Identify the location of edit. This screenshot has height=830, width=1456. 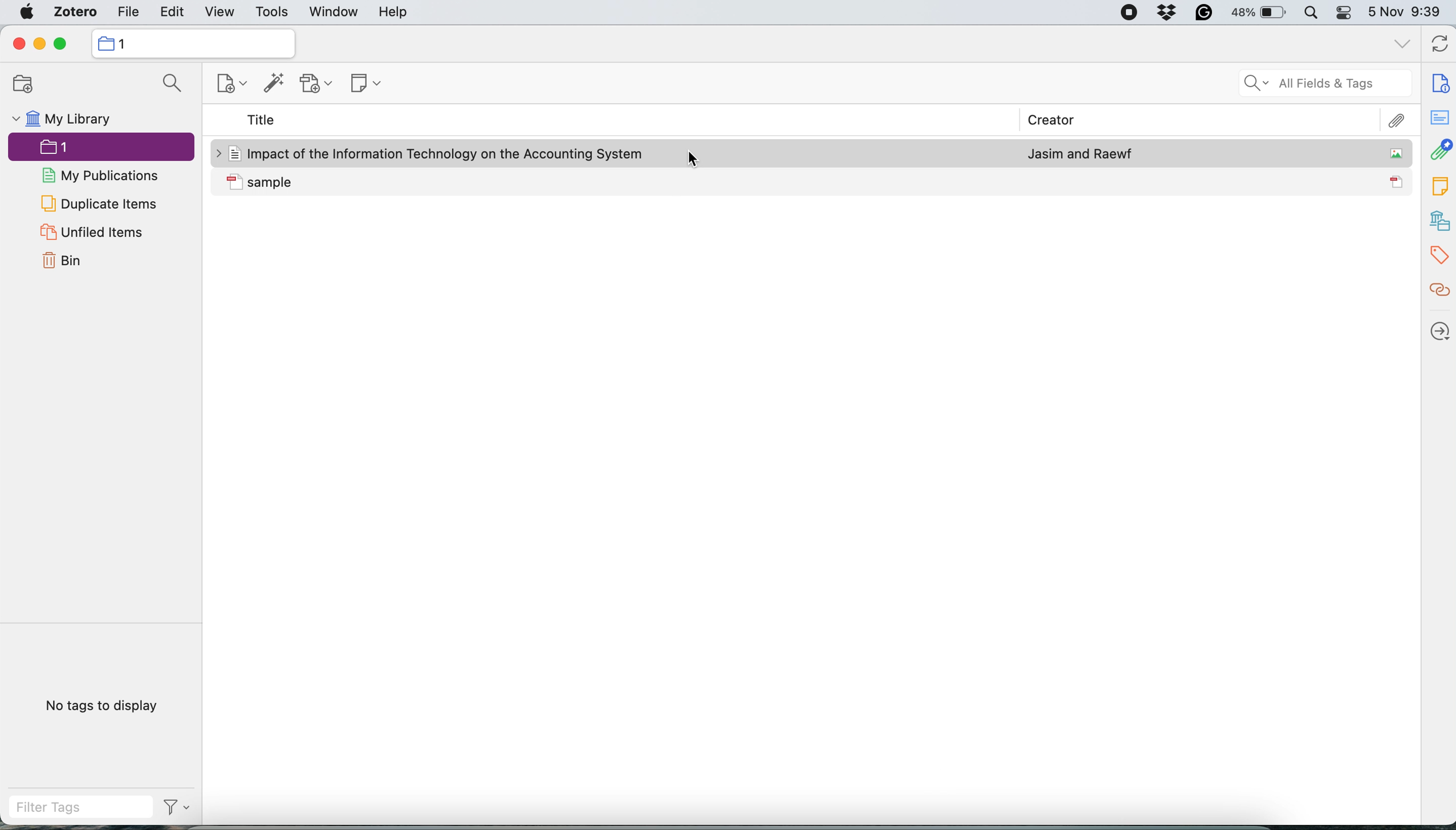
(169, 13).